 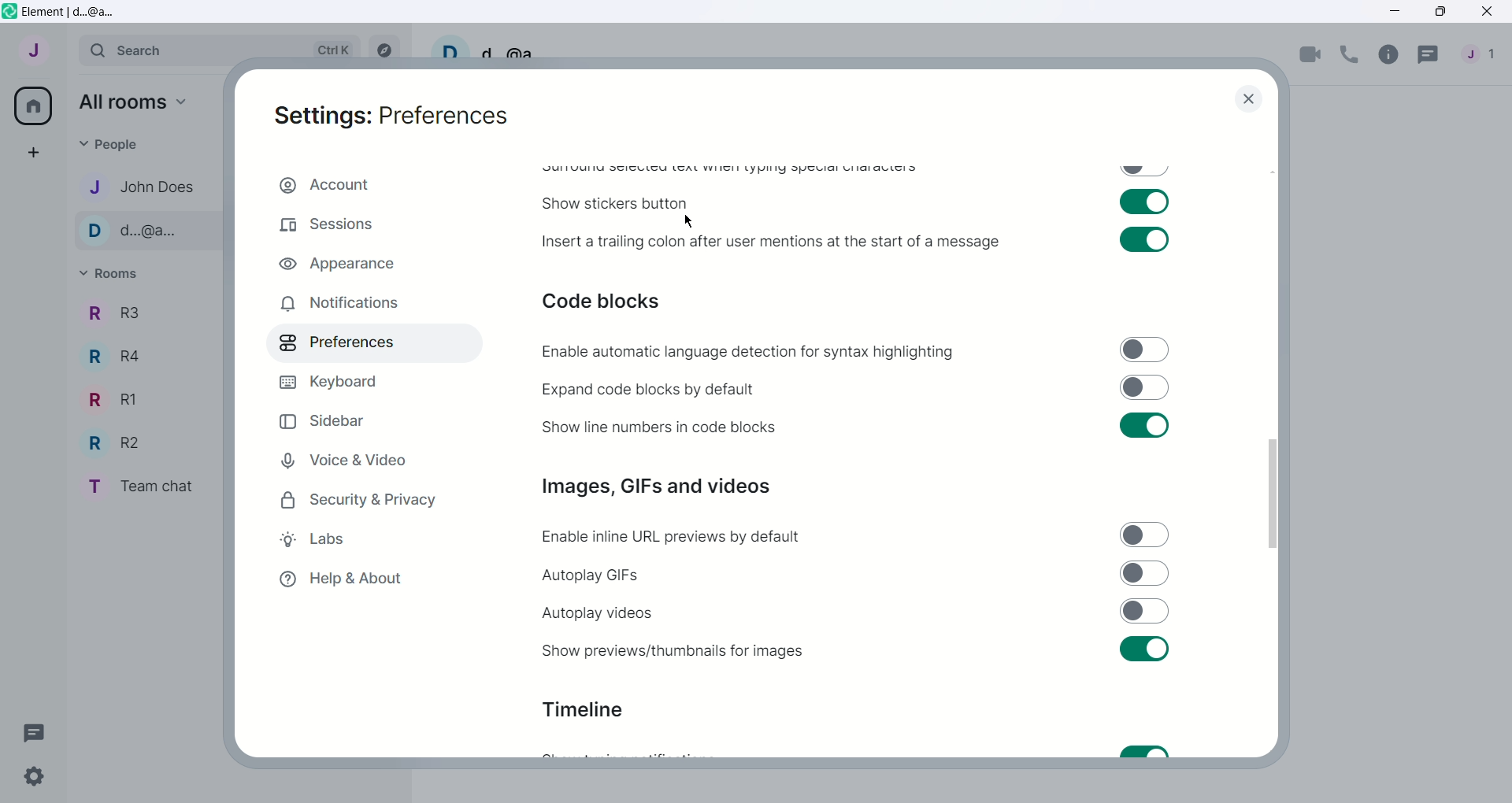 I want to click on Sessions, so click(x=369, y=226).